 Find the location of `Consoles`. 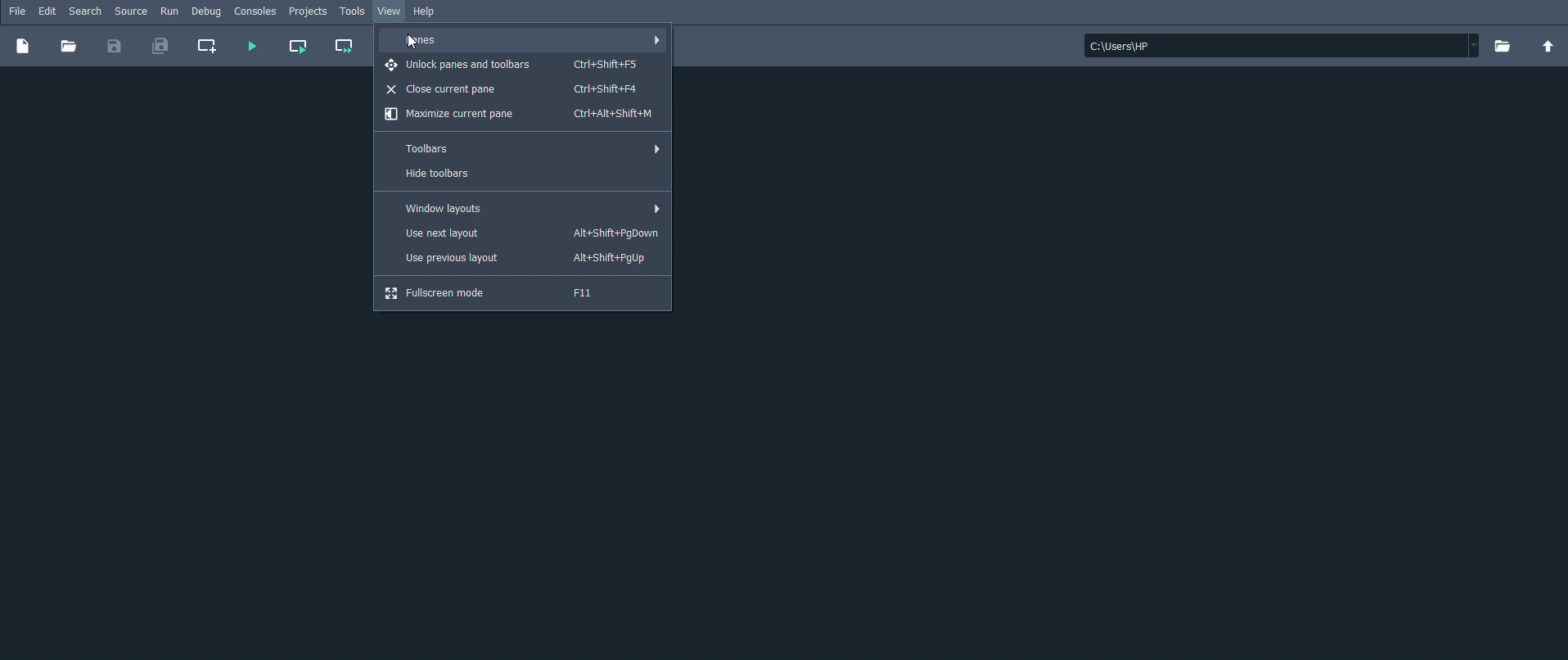

Consoles is located at coordinates (256, 11).